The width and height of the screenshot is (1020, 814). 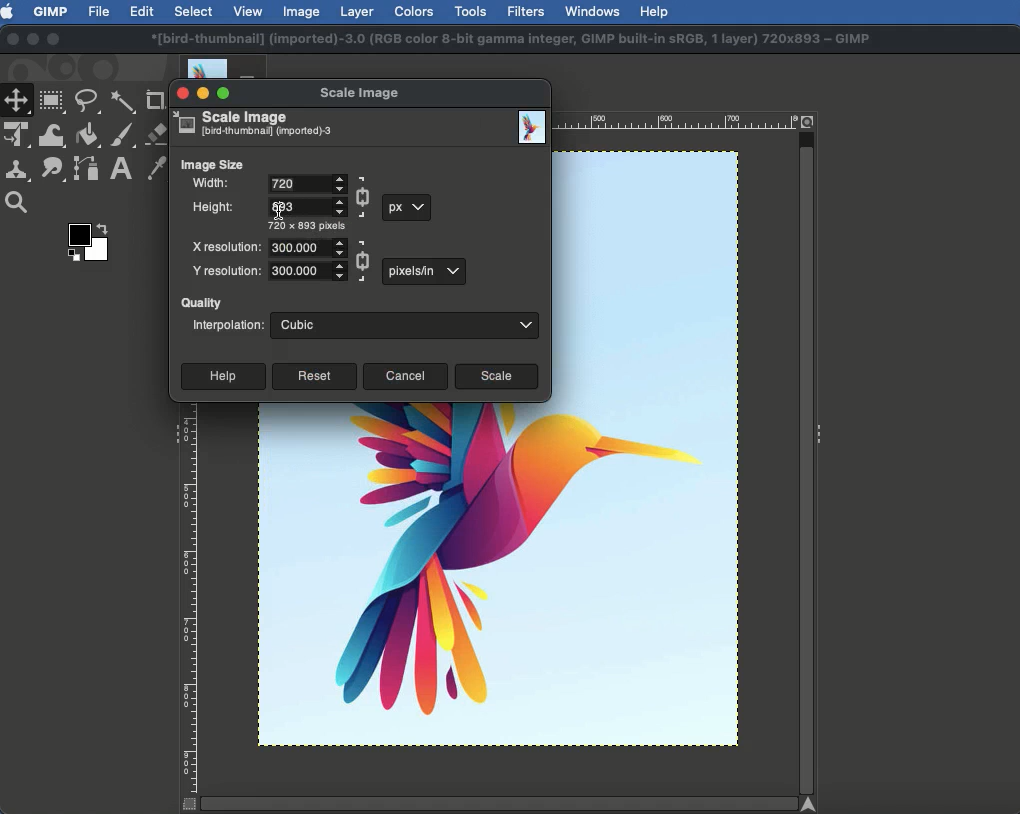 I want to click on GIMP, so click(x=50, y=12).